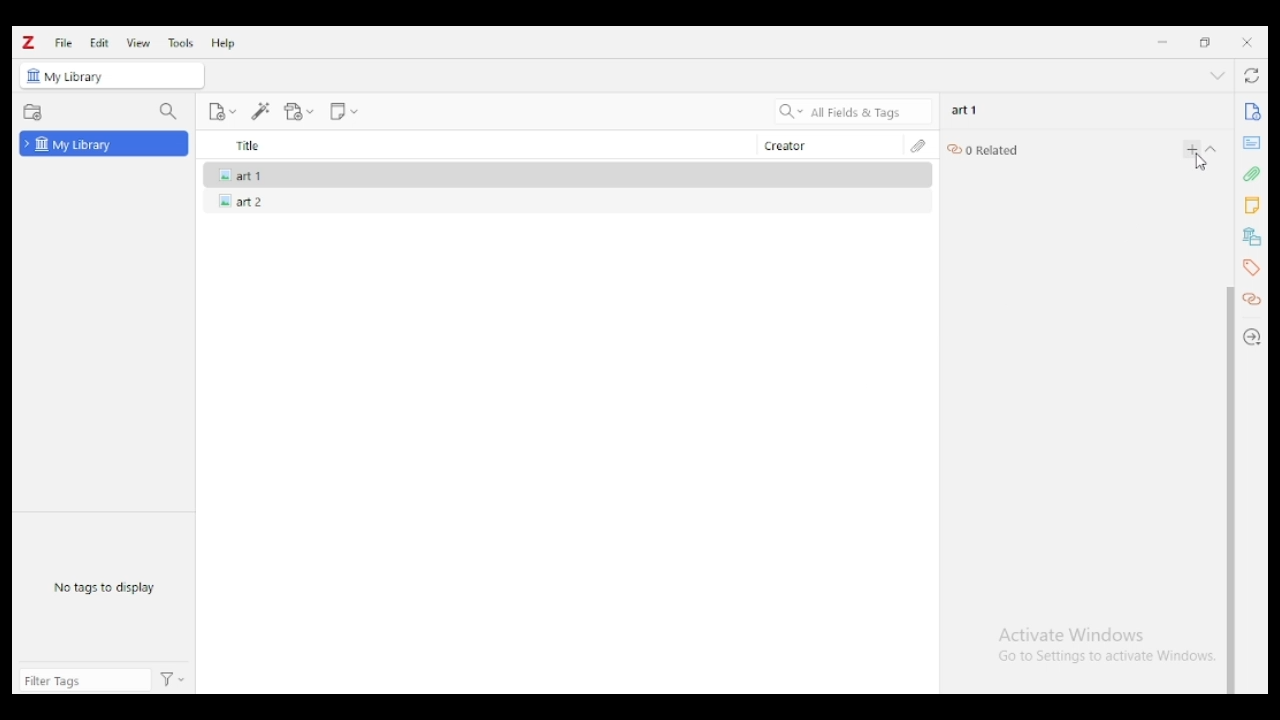 This screenshot has height=720, width=1280. I want to click on tags, so click(1250, 267).